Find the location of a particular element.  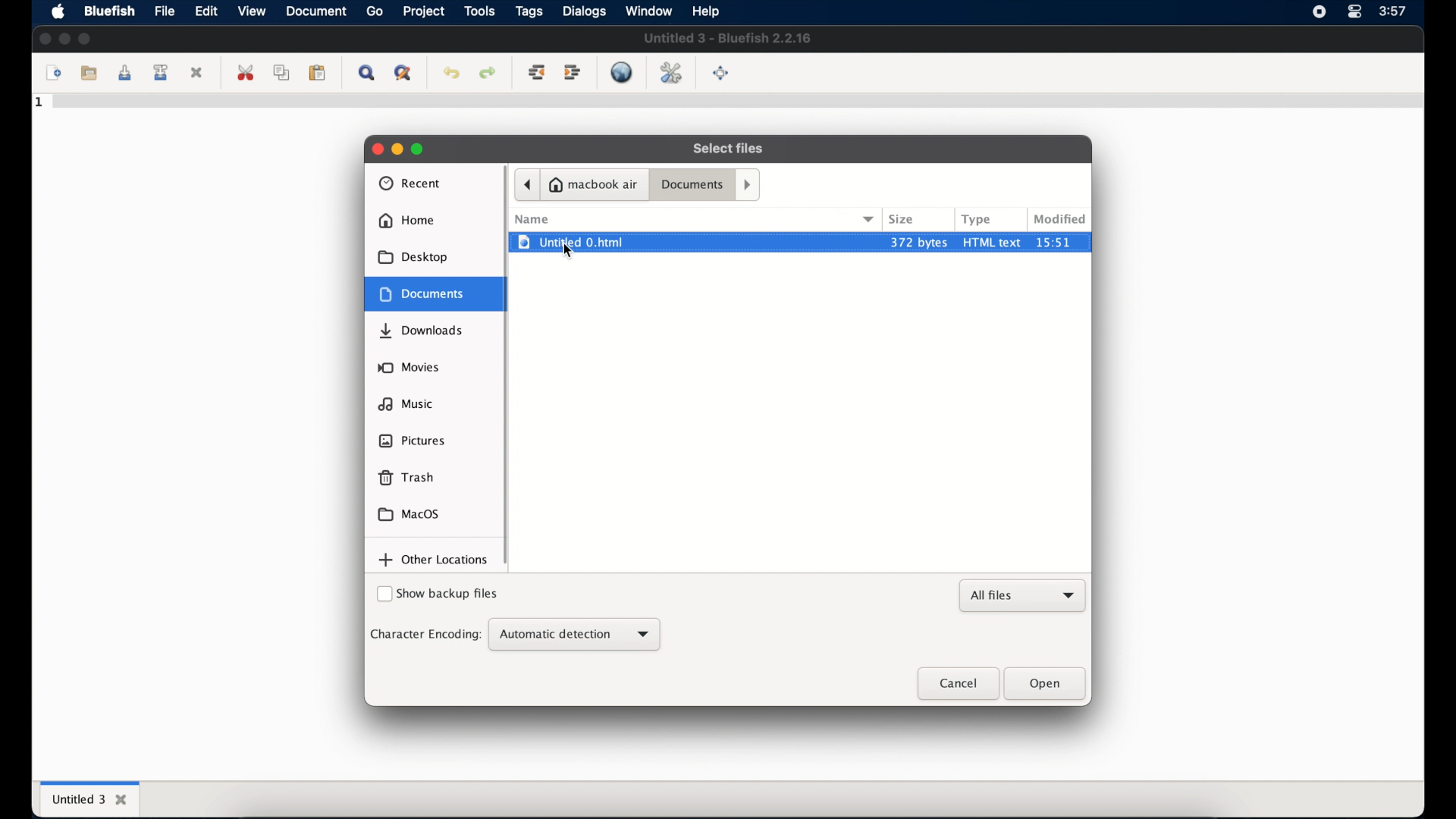

next is located at coordinates (749, 184).